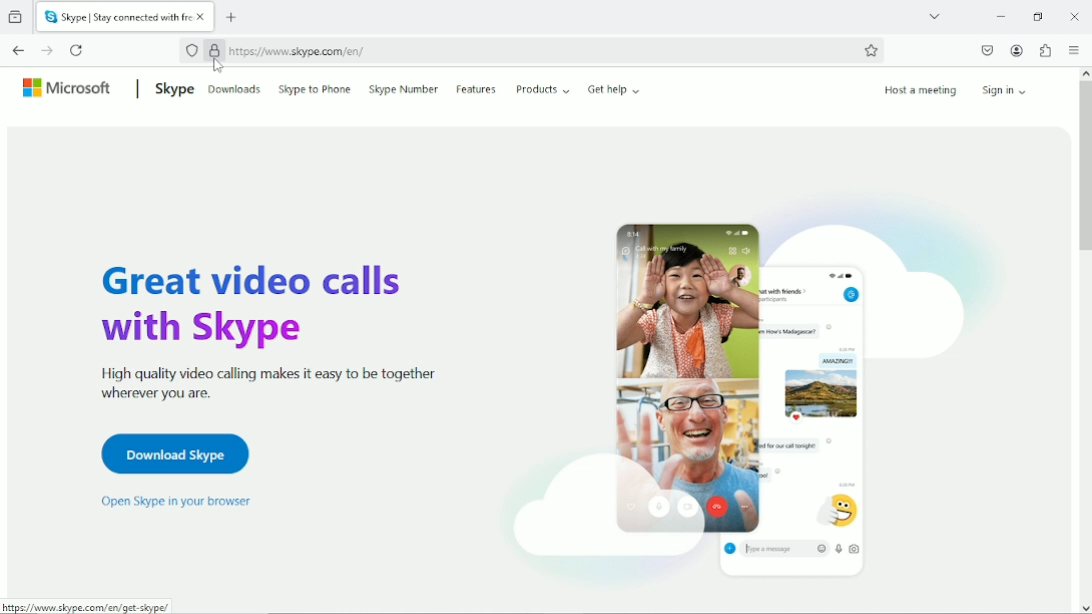  What do you see at coordinates (219, 67) in the screenshot?
I see `Cursor` at bounding box center [219, 67].